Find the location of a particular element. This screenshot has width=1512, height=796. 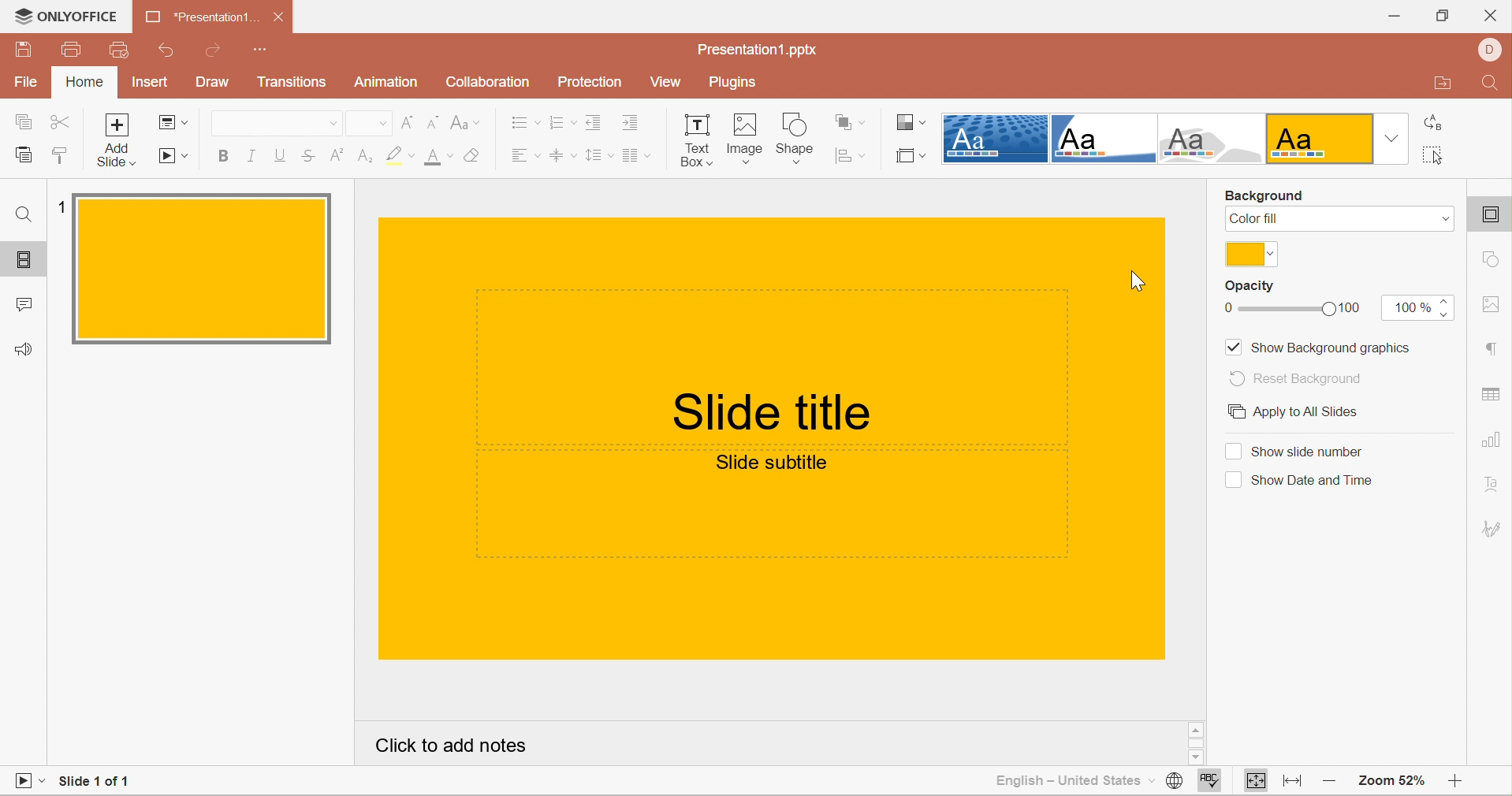

Classic is located at coordinates (1213, 141).